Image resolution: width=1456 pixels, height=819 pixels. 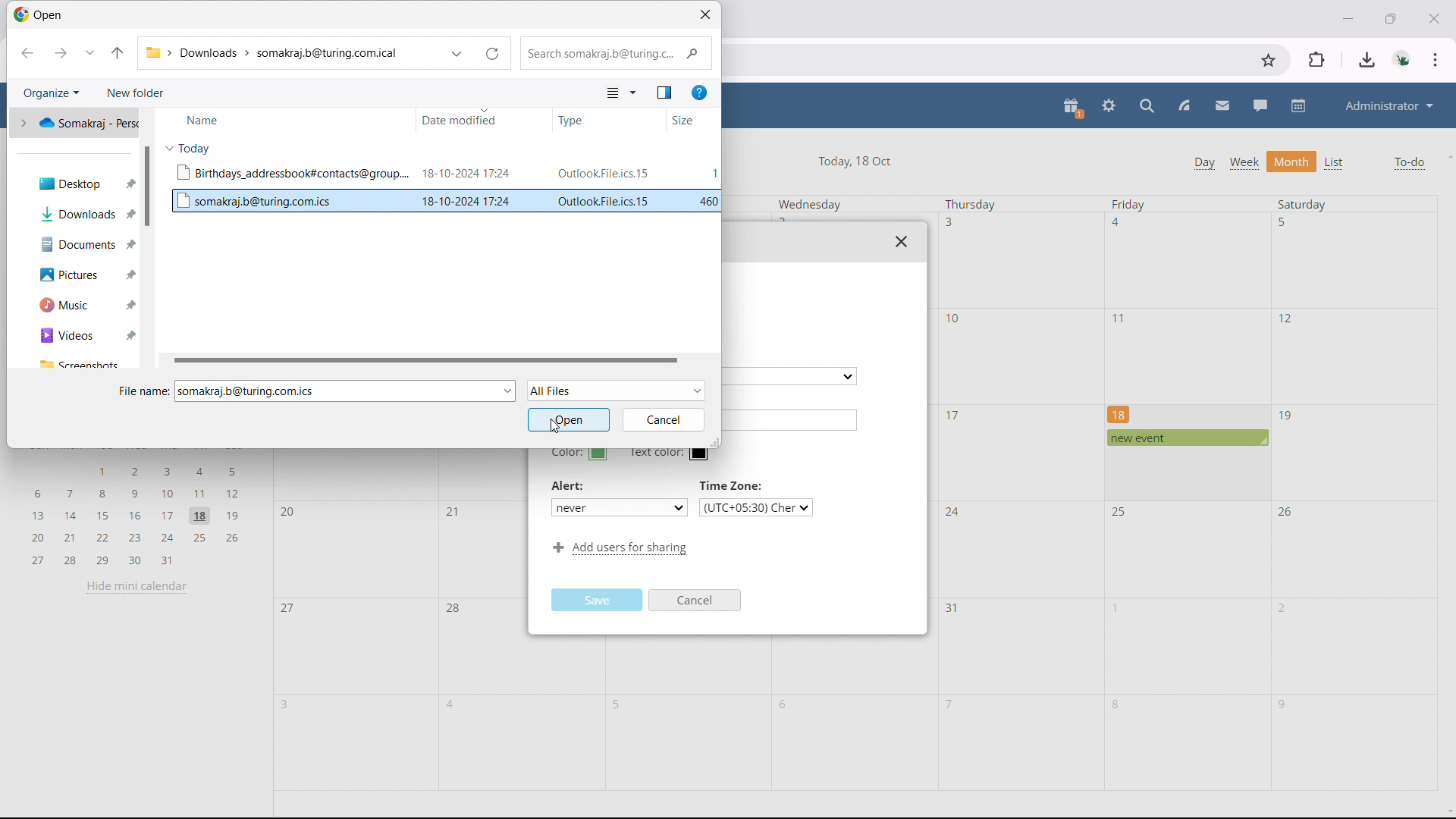 What do you see at coordinates (1186, 438) in the screenshot?
I see `scheduled event` at bounding box center [1186, 438].